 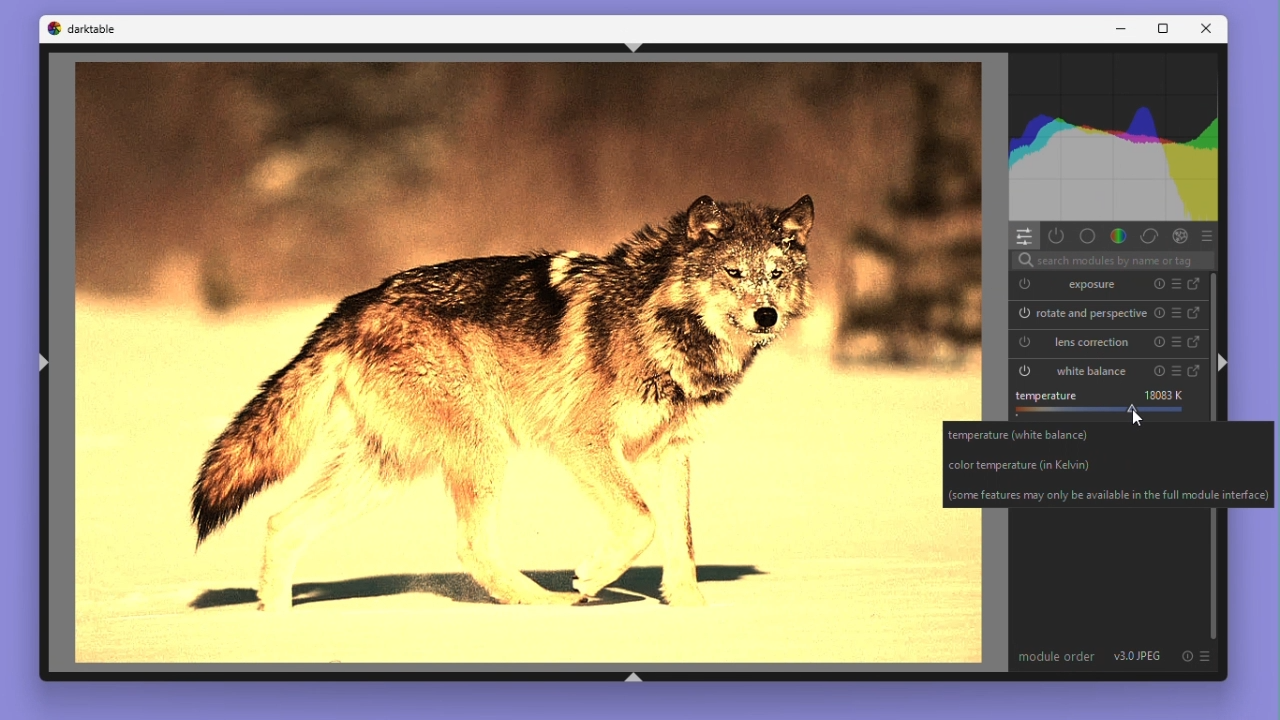 I want to click on White balance, so click(x=1075, y=369).